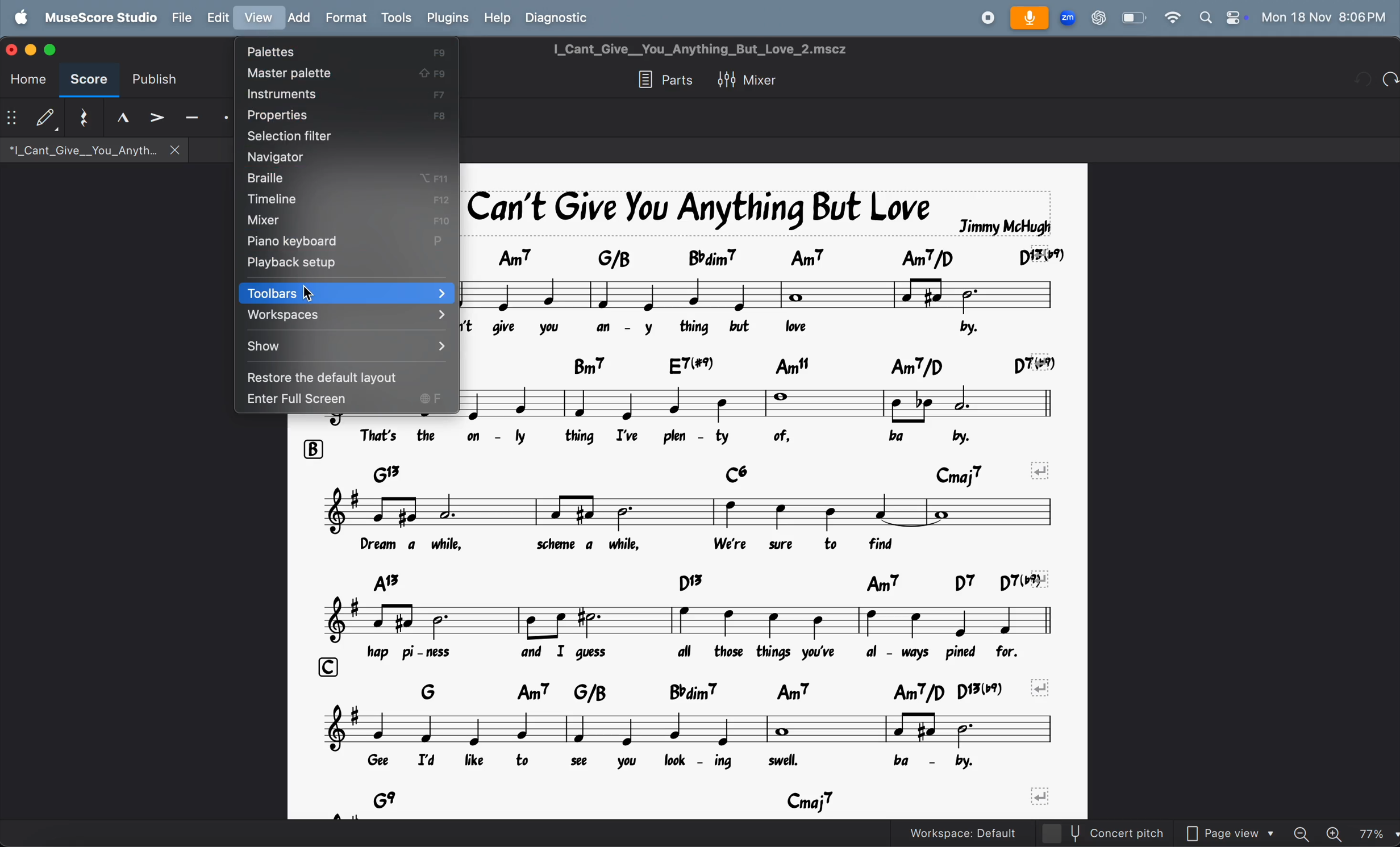 The width and height of the screenshot is (1400, 847). Describe the element at coordinates (90, 81) in the screenshot. I see `score` at that location.